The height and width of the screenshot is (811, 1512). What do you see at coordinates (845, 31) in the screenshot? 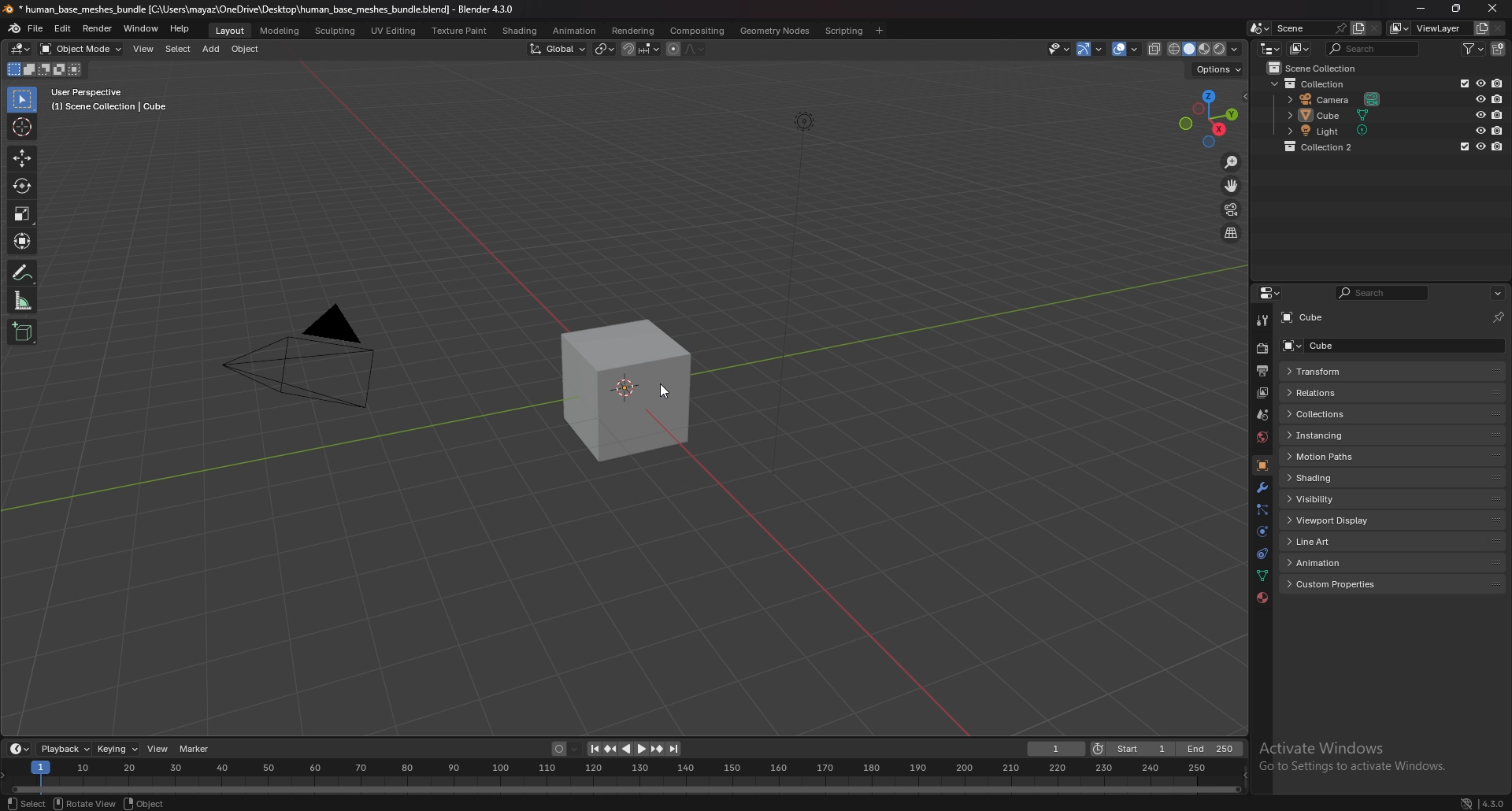
I see `scripting` at bounding box center [845, 31].